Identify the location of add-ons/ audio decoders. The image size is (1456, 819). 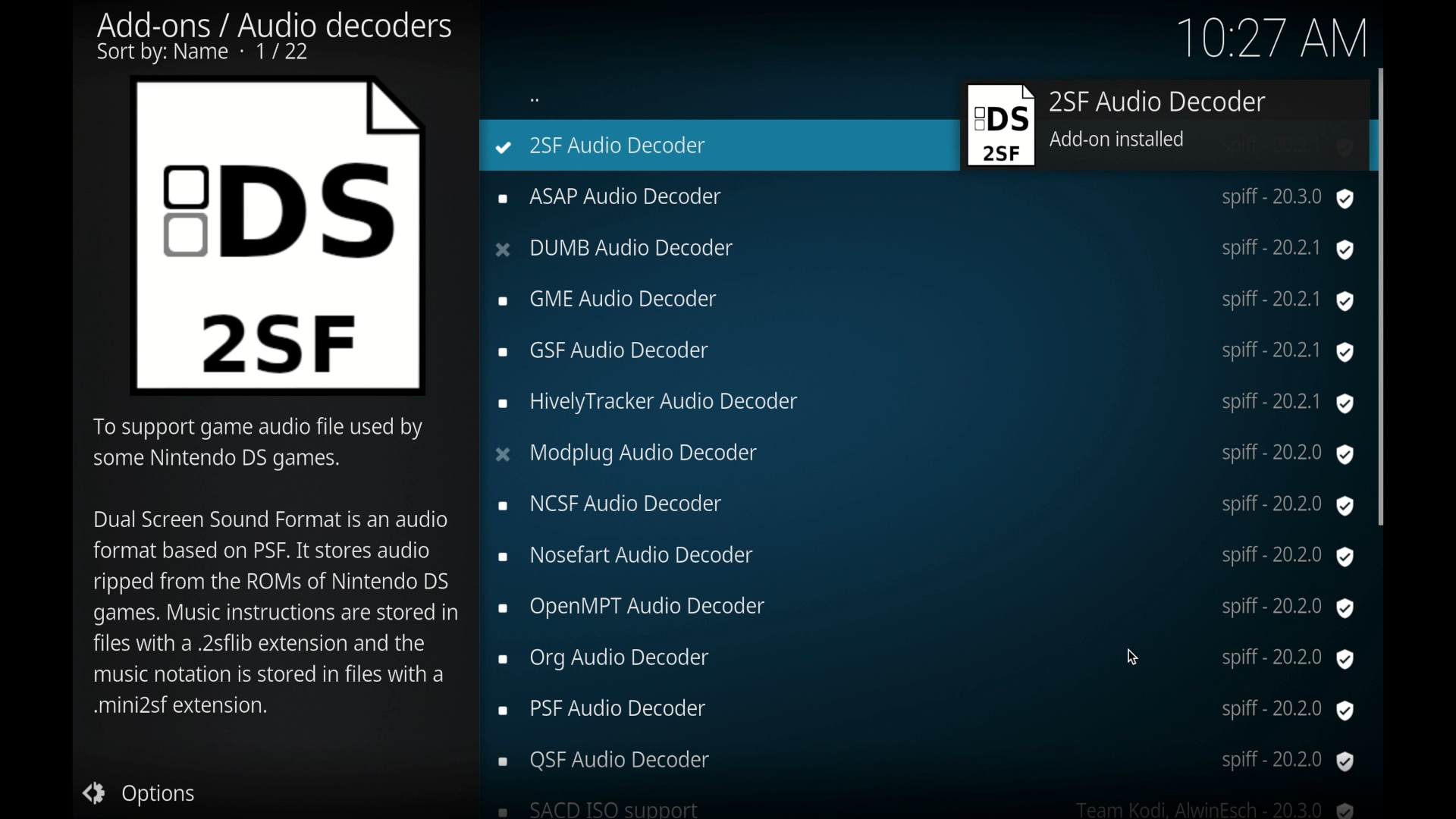
(275, 38).